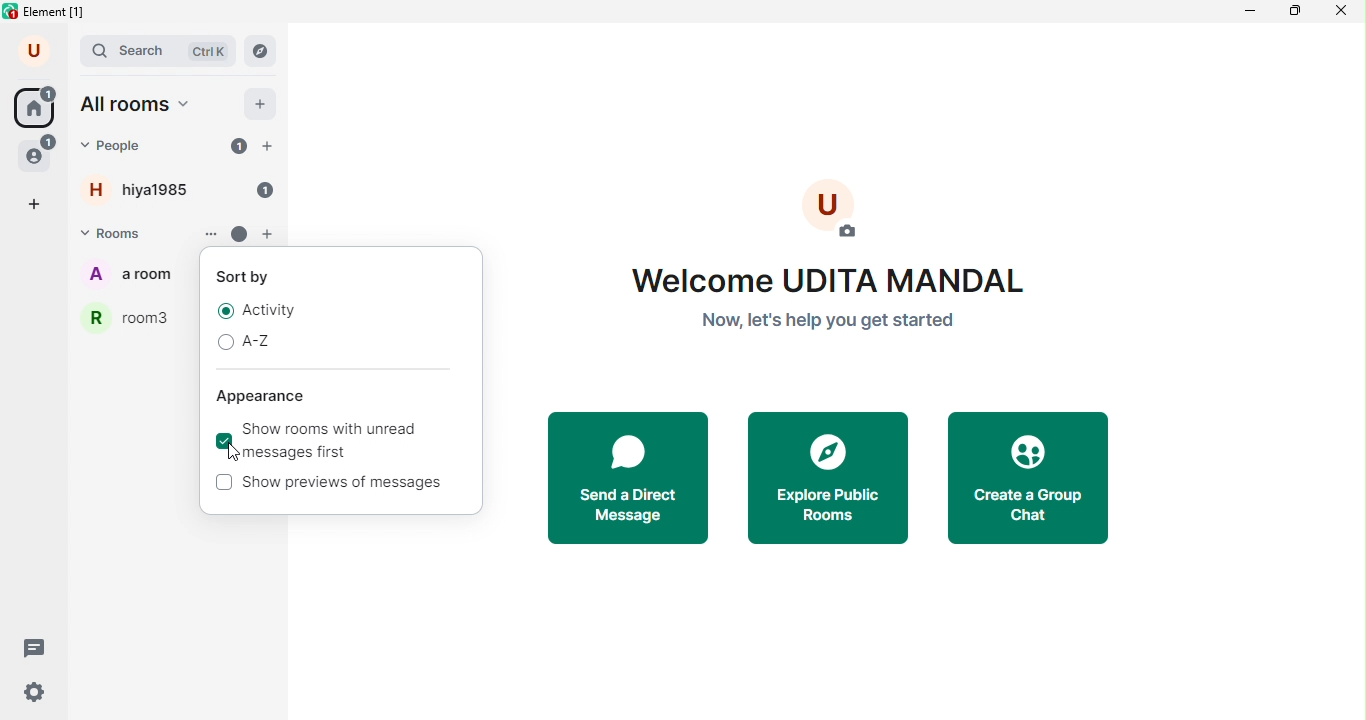 The image size is (1366, 720). I want to click on unread 1 message, so click(236, 147).